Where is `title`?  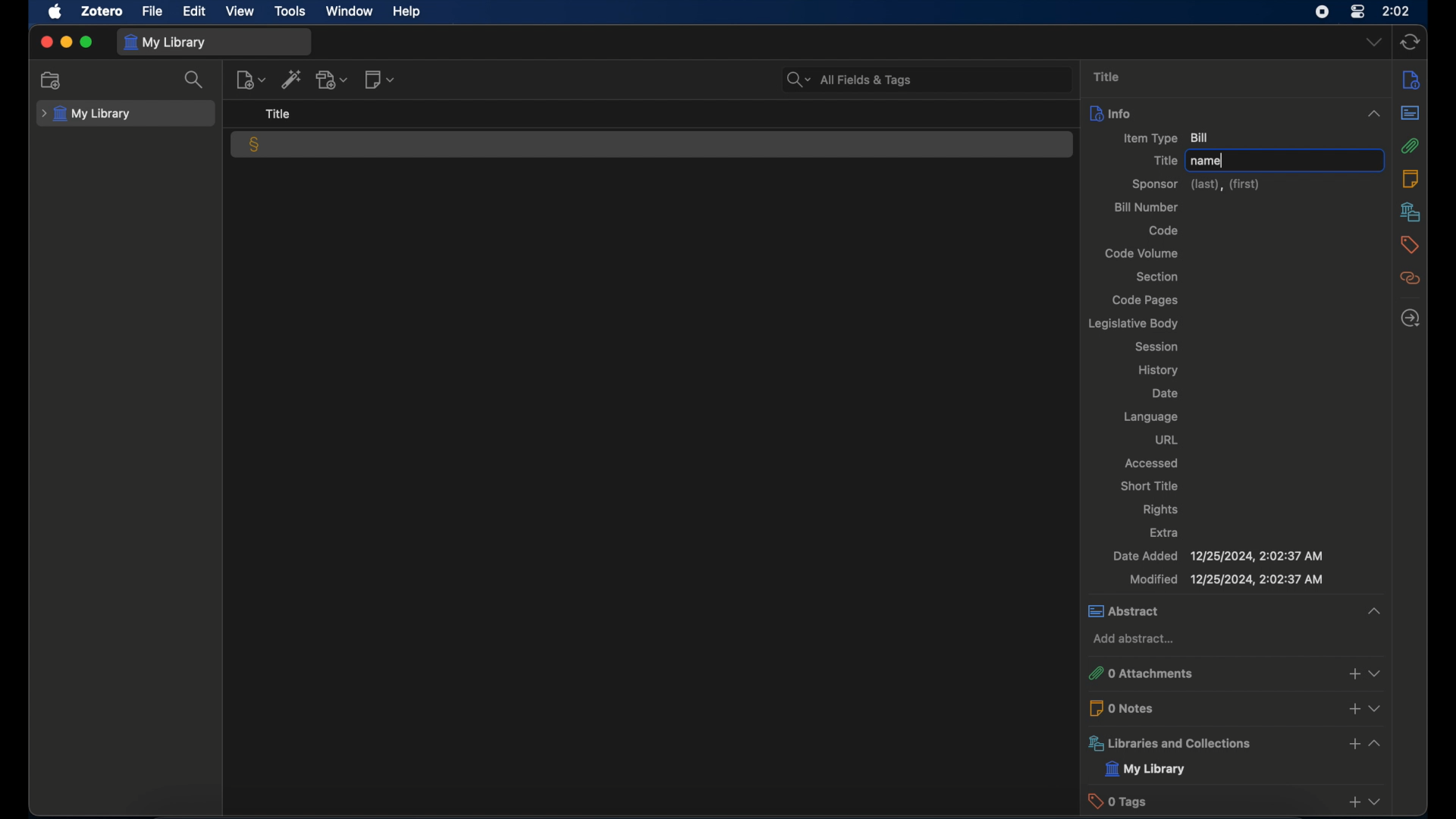 title is located at coordinates (1106, 77).